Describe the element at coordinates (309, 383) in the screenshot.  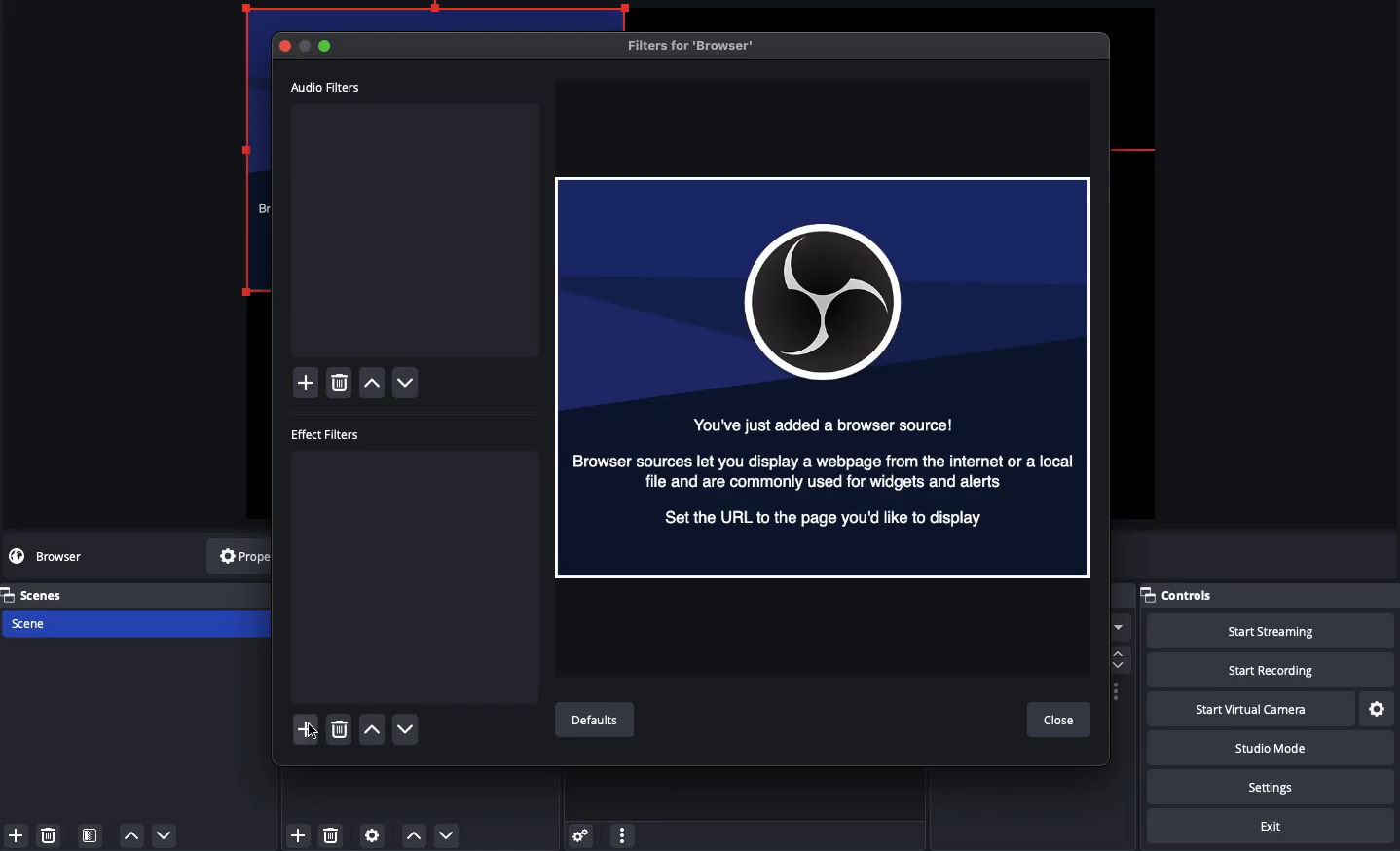
I see `Add` at that location.